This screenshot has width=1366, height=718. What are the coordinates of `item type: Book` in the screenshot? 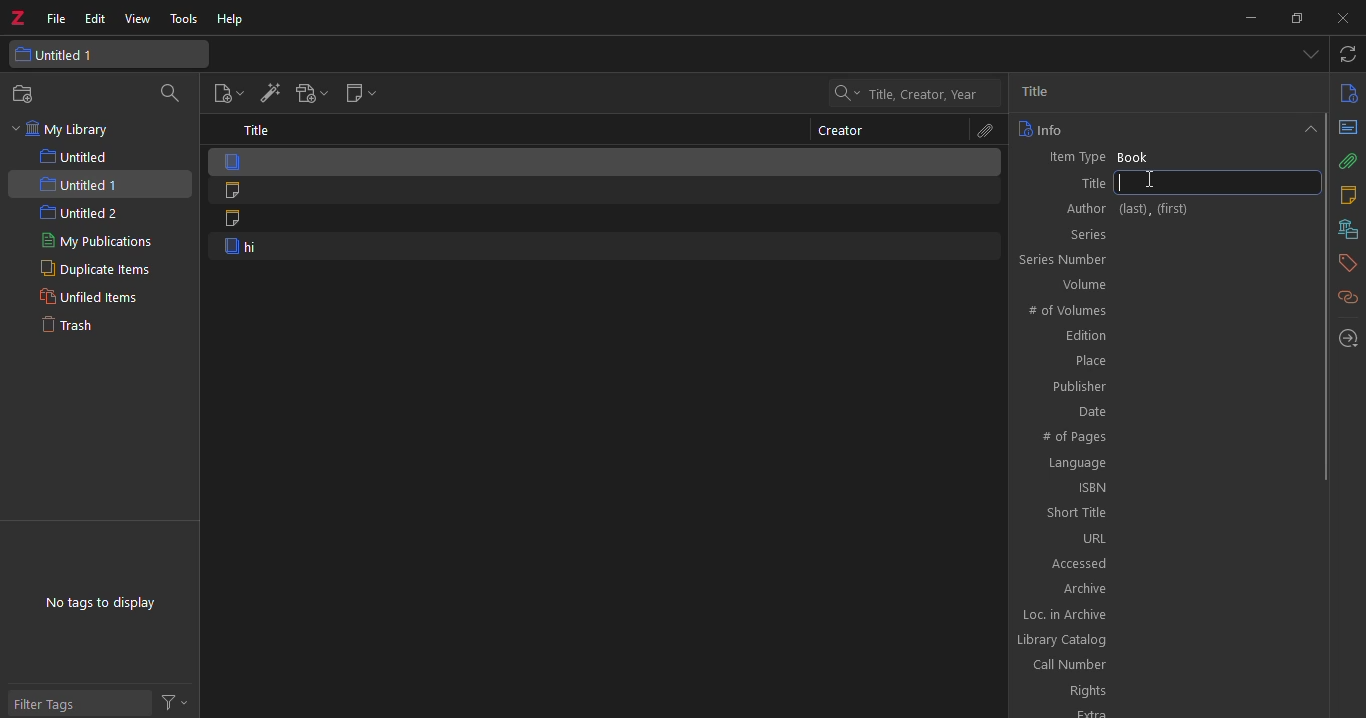 It's located at (1162, 155).